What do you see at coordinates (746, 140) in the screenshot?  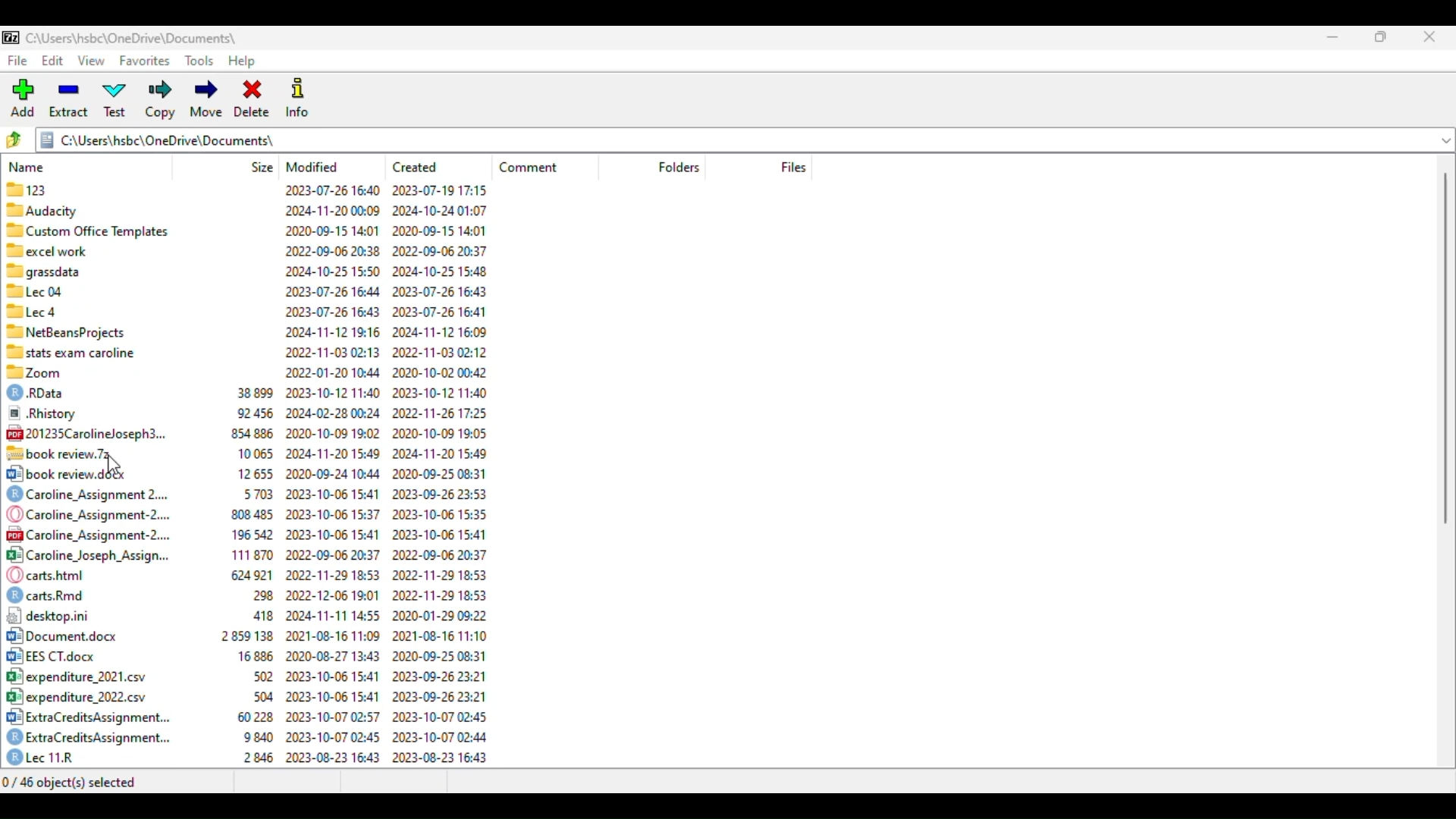 I see `current folder` at bounding box center [746, 140].